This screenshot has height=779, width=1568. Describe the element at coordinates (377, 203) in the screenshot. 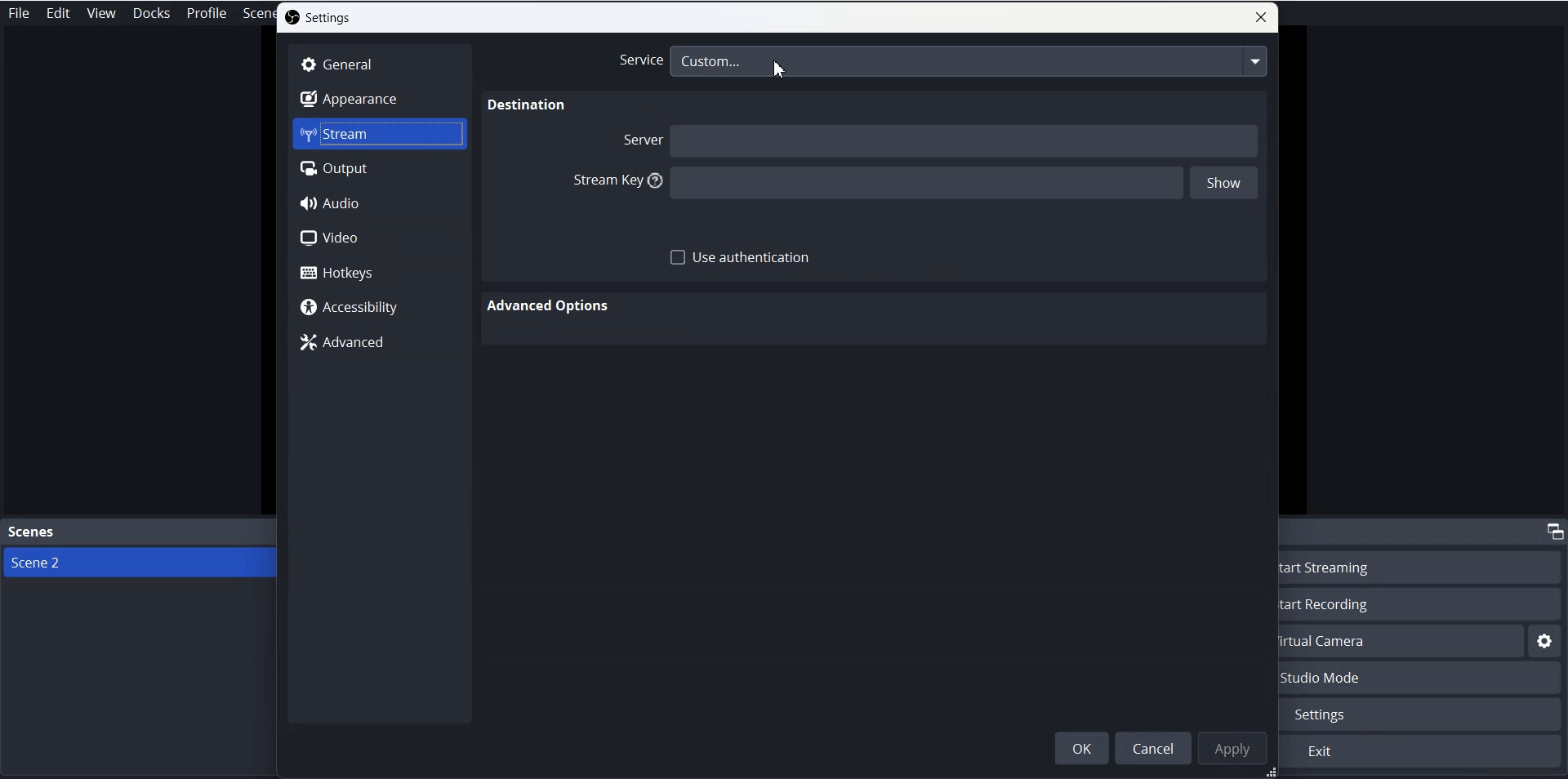

I see `Audio` at that location.